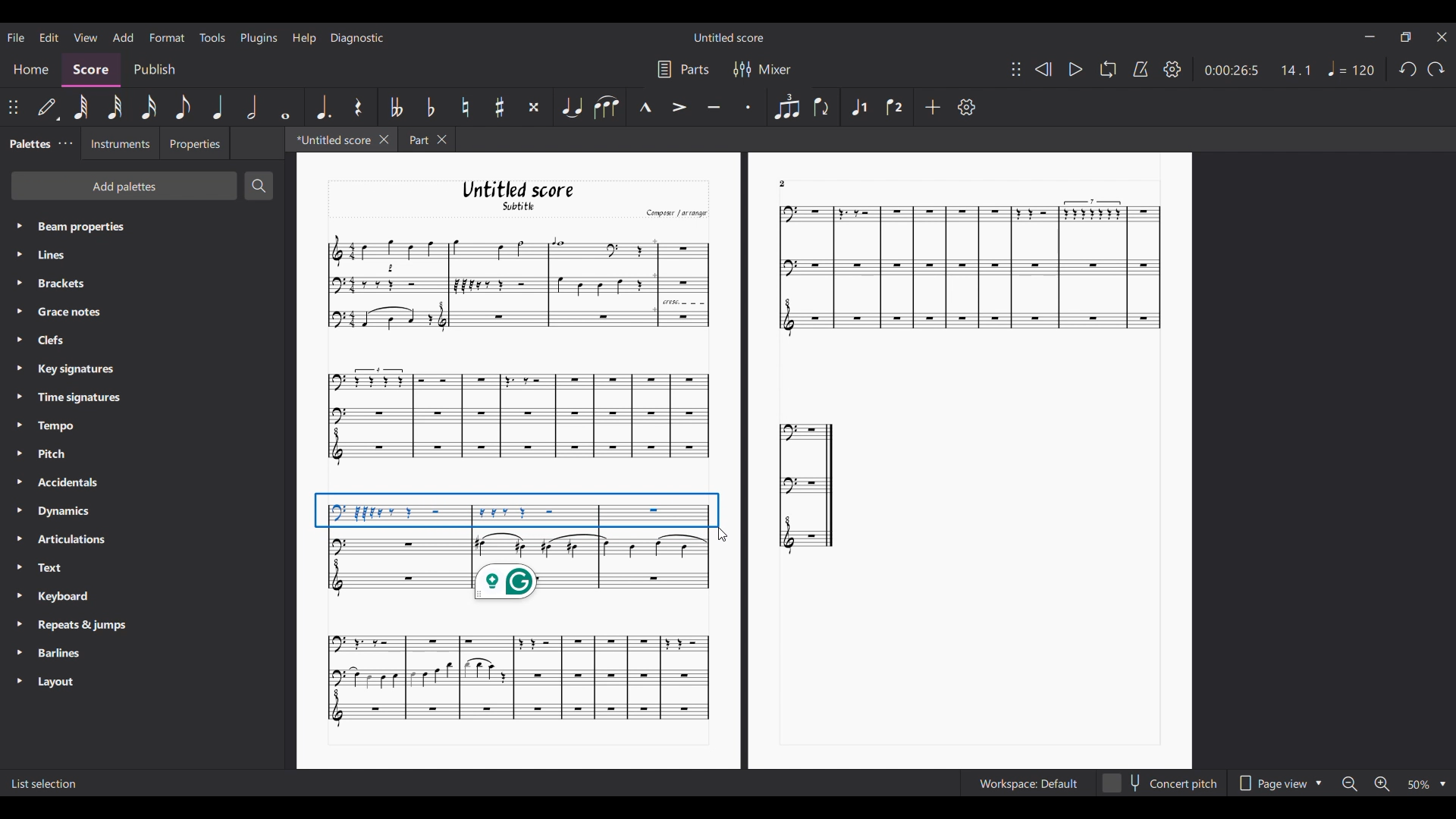 The width and height of the screenshot is (1456, 819). Describe the element at coordinates (360, 107) in the screenshot. I see `Rest` at that location.